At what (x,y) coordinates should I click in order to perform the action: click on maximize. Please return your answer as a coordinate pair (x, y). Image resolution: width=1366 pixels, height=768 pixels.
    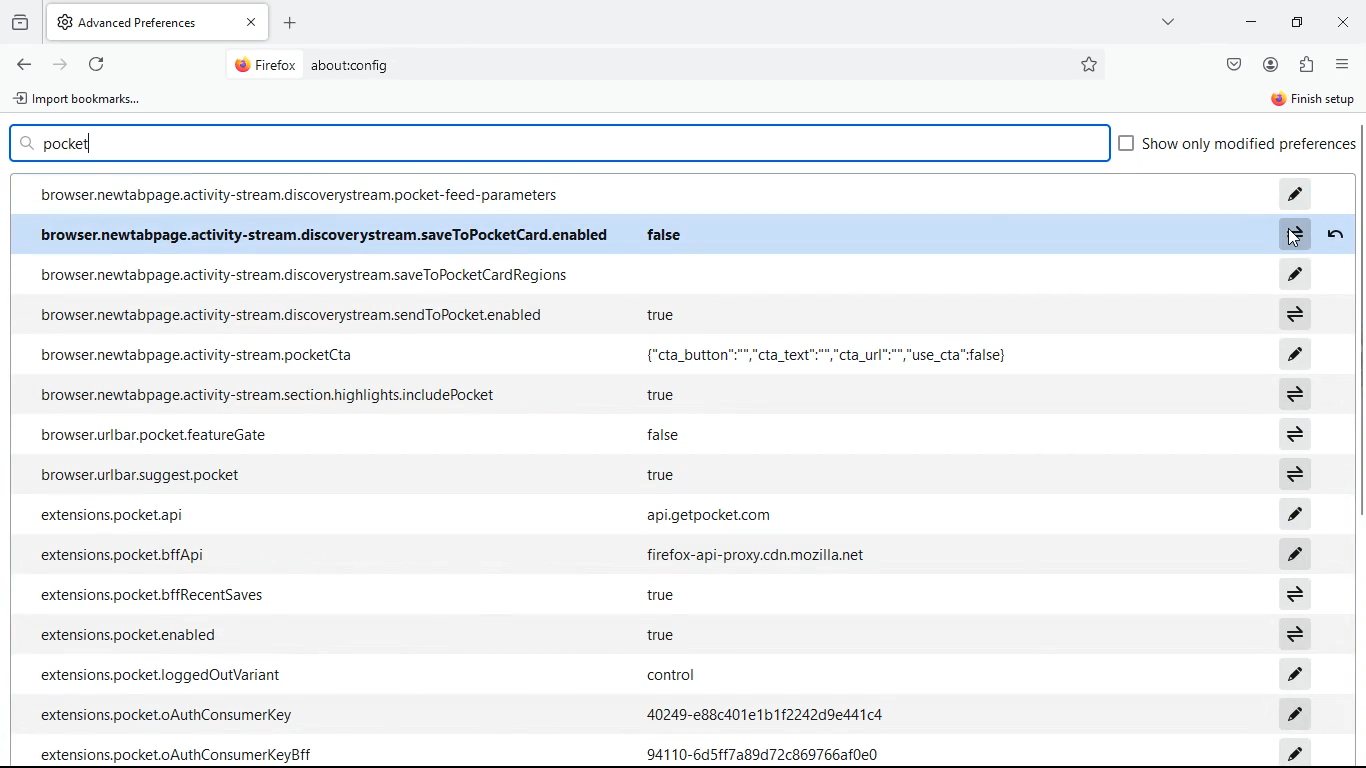
    Looking at the image, I should click on (1293, 23).